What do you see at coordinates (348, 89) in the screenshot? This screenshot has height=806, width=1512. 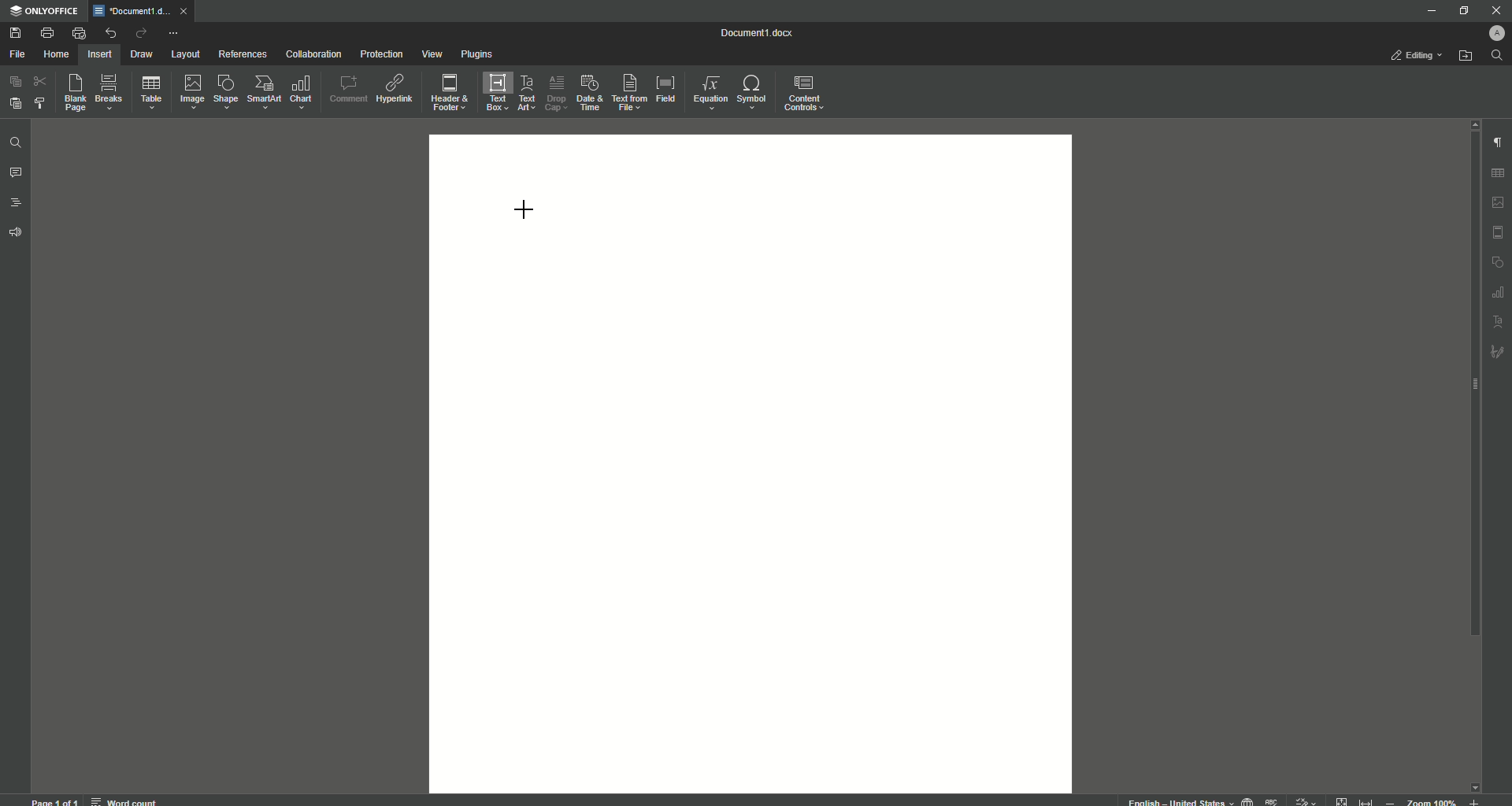 I see `Comment` at bounding box center [348, 89].